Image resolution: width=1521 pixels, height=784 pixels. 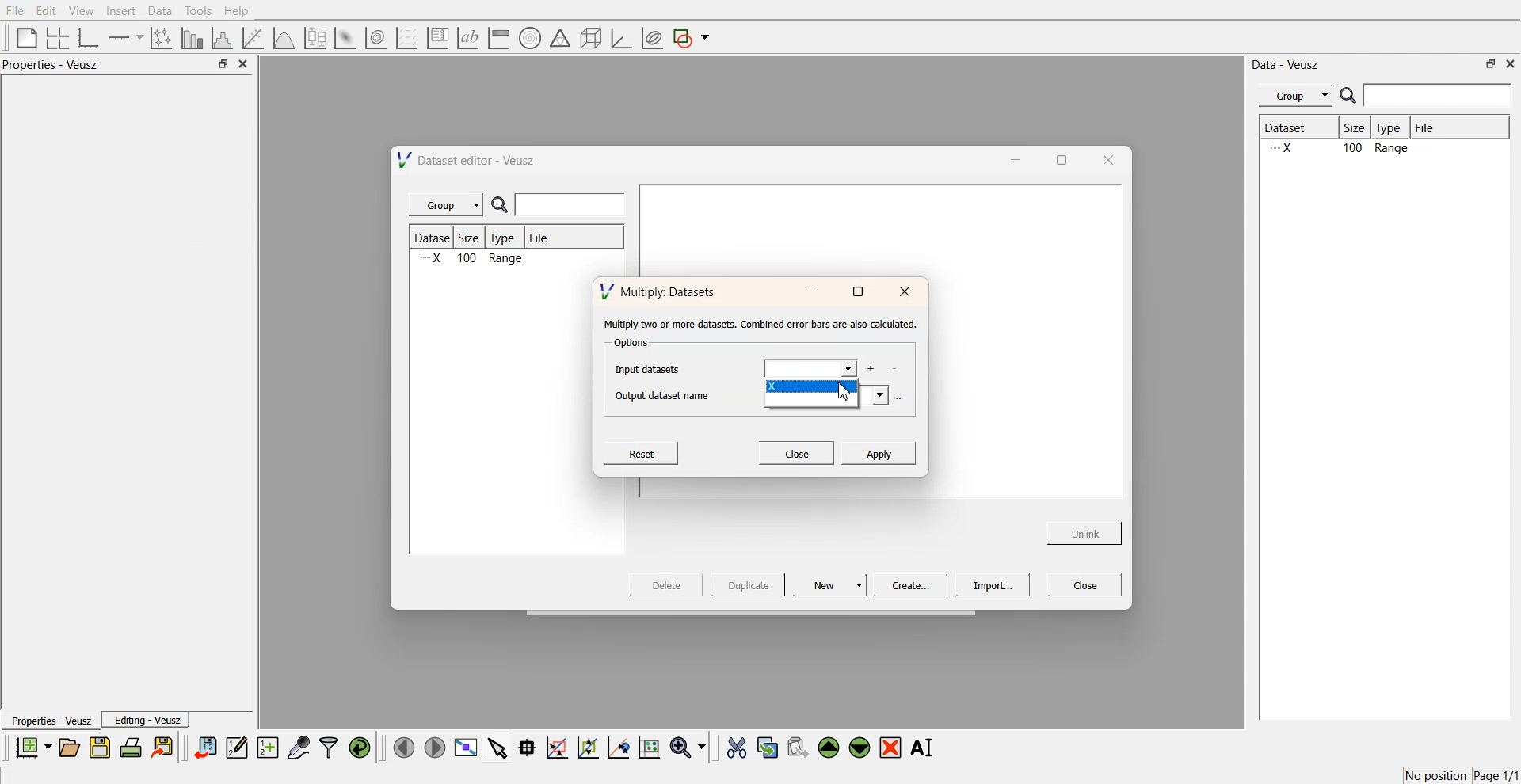 What do you see at coordinates (796, 747) in the screenshot?
I see `paste the selected widgets` at bounding box center [796, 747].